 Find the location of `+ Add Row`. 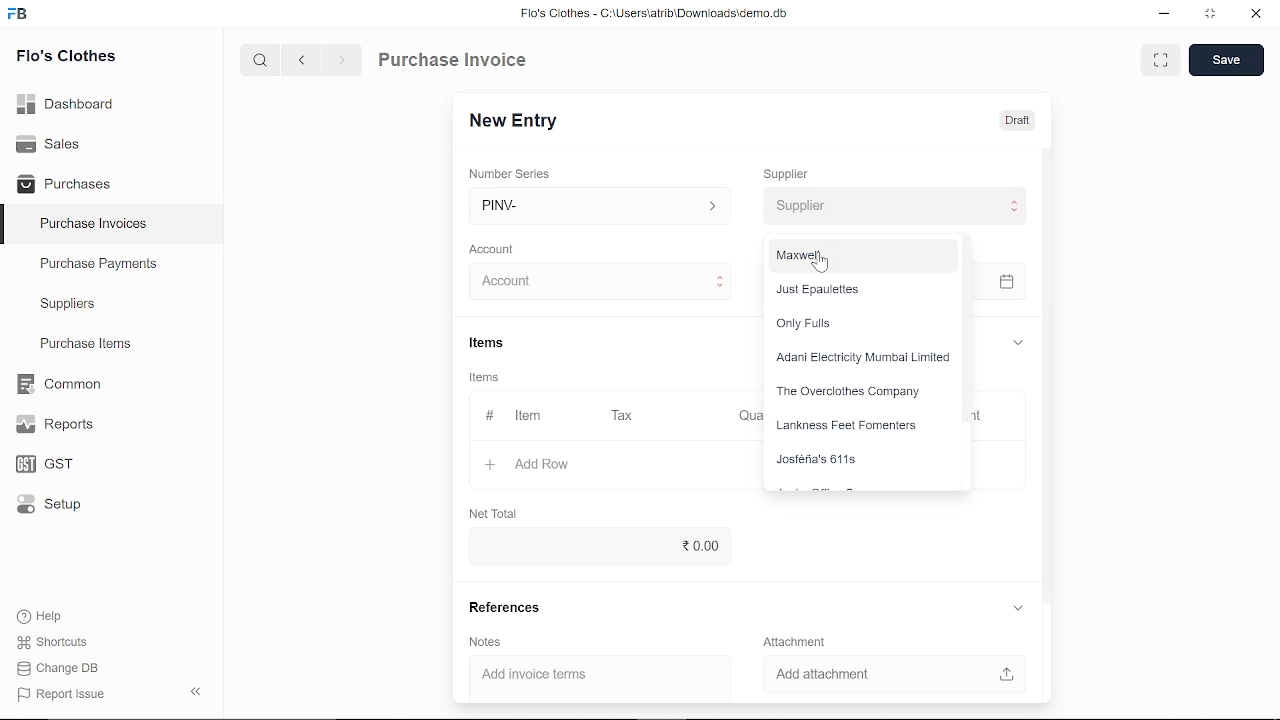

+ Add Row is located at coordinates (521, 463).